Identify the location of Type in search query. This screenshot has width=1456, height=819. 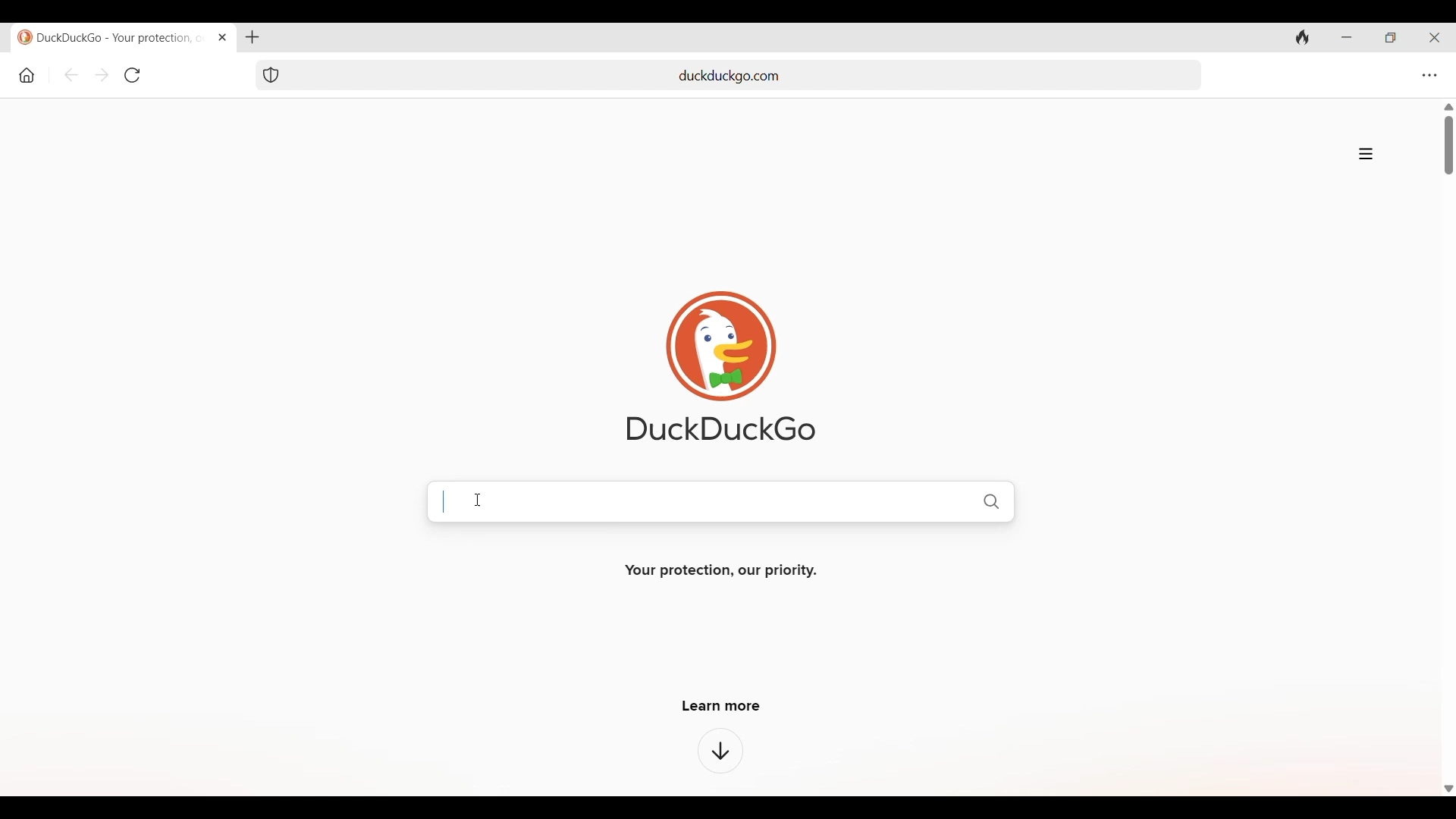
(748, 499).